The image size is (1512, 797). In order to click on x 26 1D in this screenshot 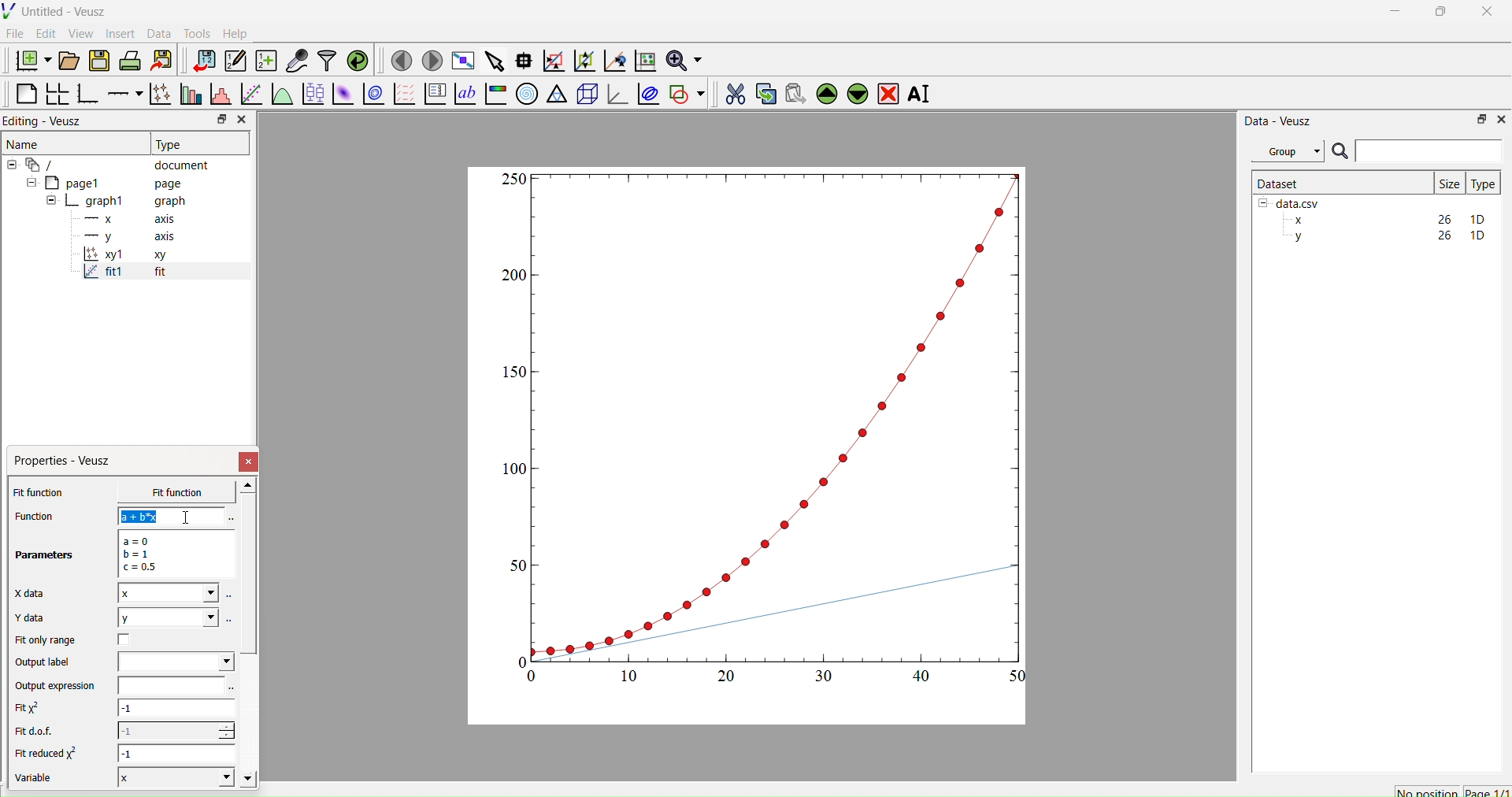, I will do `click(1385, 220)`.